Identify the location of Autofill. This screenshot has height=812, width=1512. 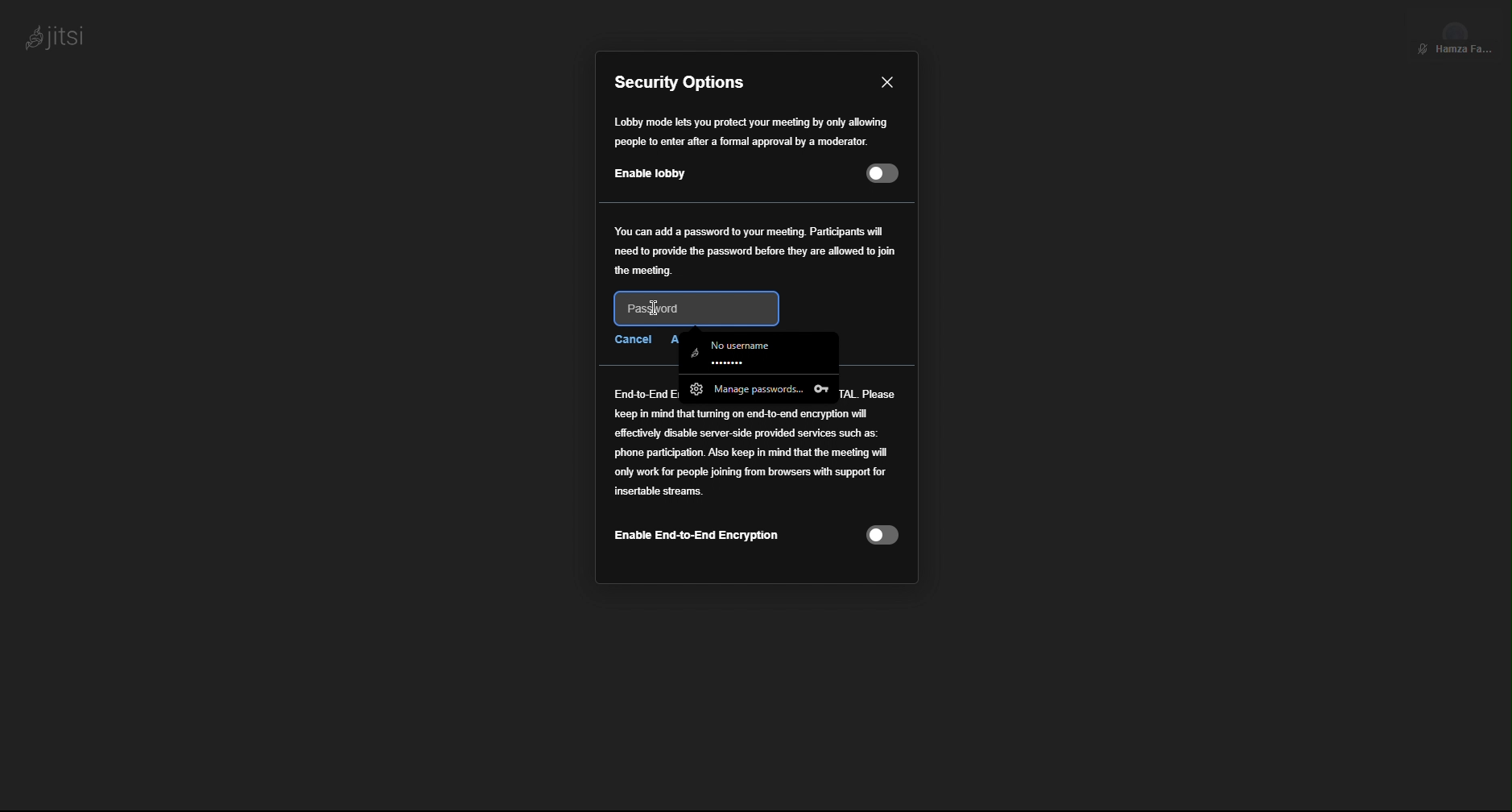
(760, 368).